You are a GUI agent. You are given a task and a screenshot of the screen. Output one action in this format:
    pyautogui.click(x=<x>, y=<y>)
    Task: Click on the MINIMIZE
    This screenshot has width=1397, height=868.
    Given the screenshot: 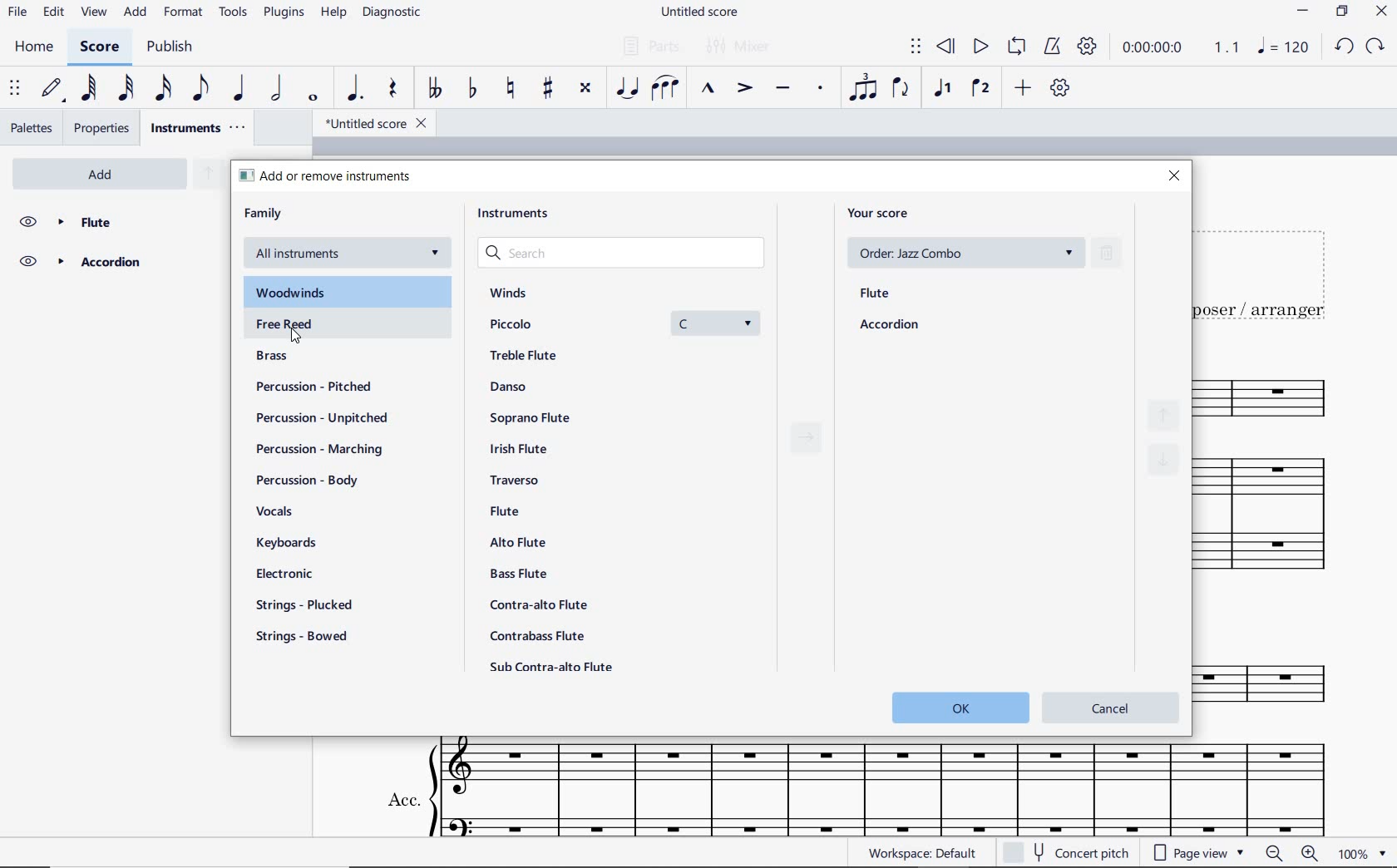 What is the action you would take?
    pyautogui.click(x=1305, y=11)
    